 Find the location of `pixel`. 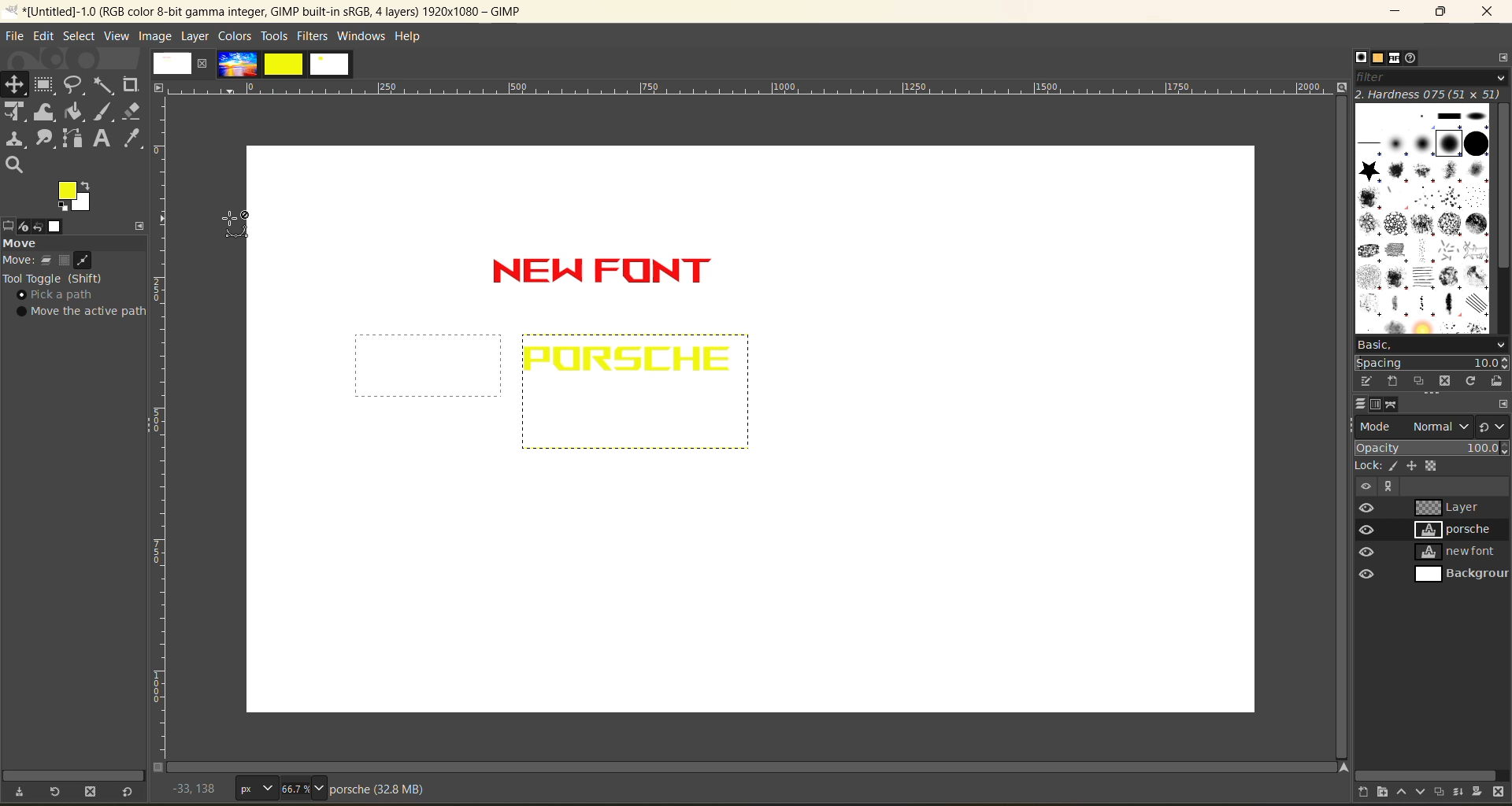

pixel is located at coordinates (1393, 467).